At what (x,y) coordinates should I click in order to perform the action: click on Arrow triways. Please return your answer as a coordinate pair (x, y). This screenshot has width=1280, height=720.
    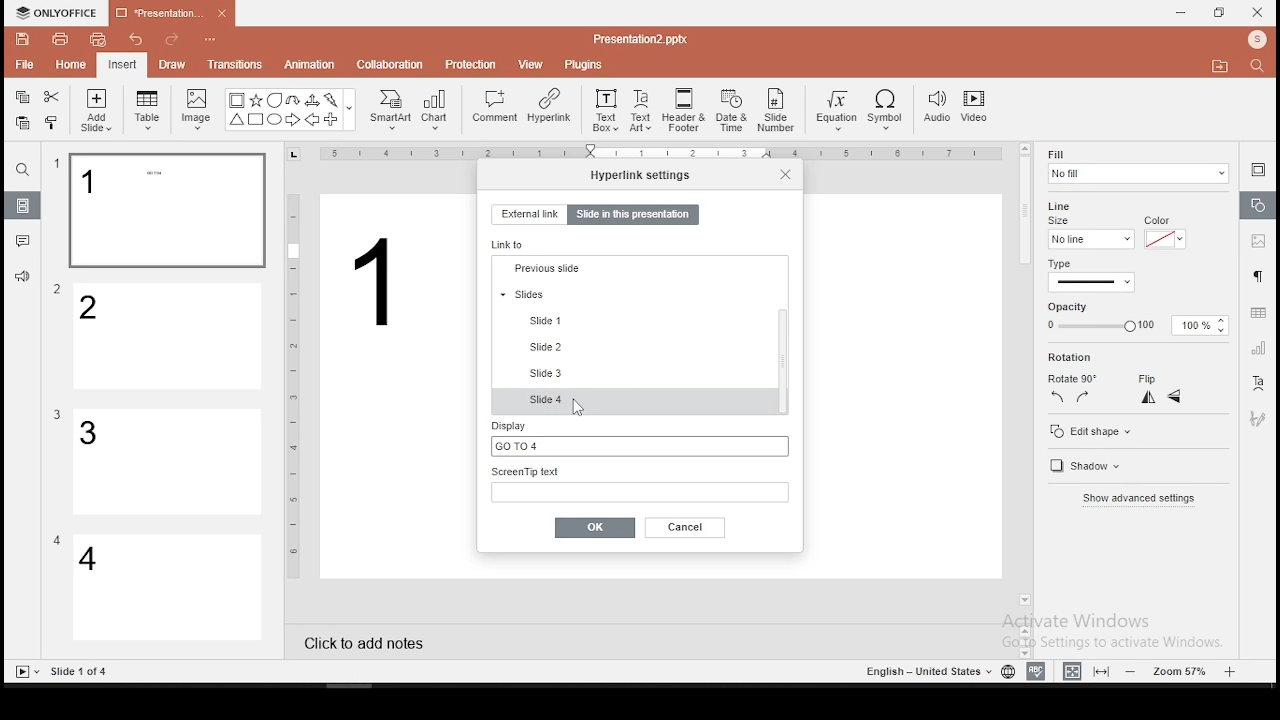
    Looking at the image, I should click on (313, 100).